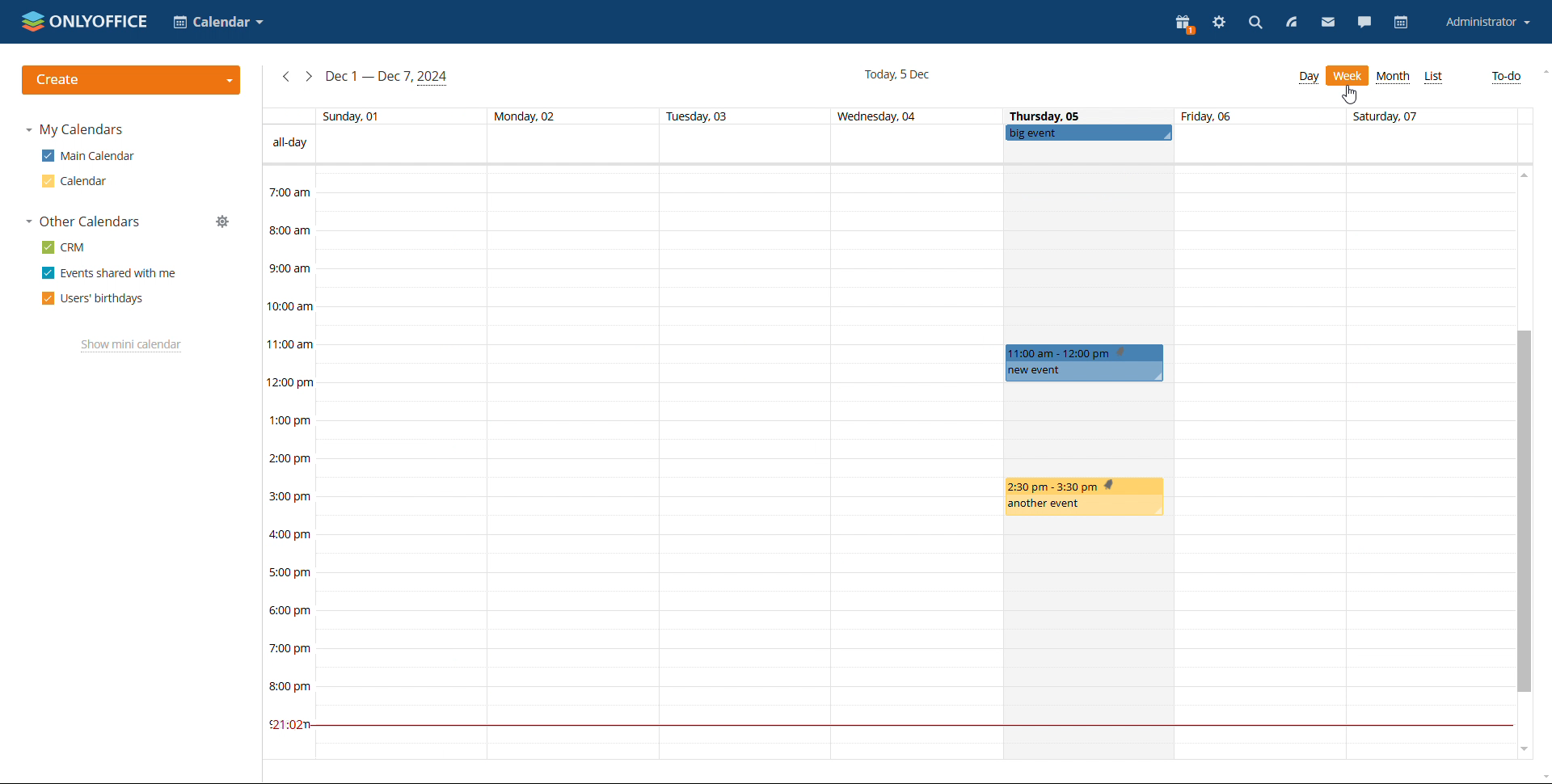 This screenshot has width=1552, height=784. I want to click on list view, so click(1434, 77).